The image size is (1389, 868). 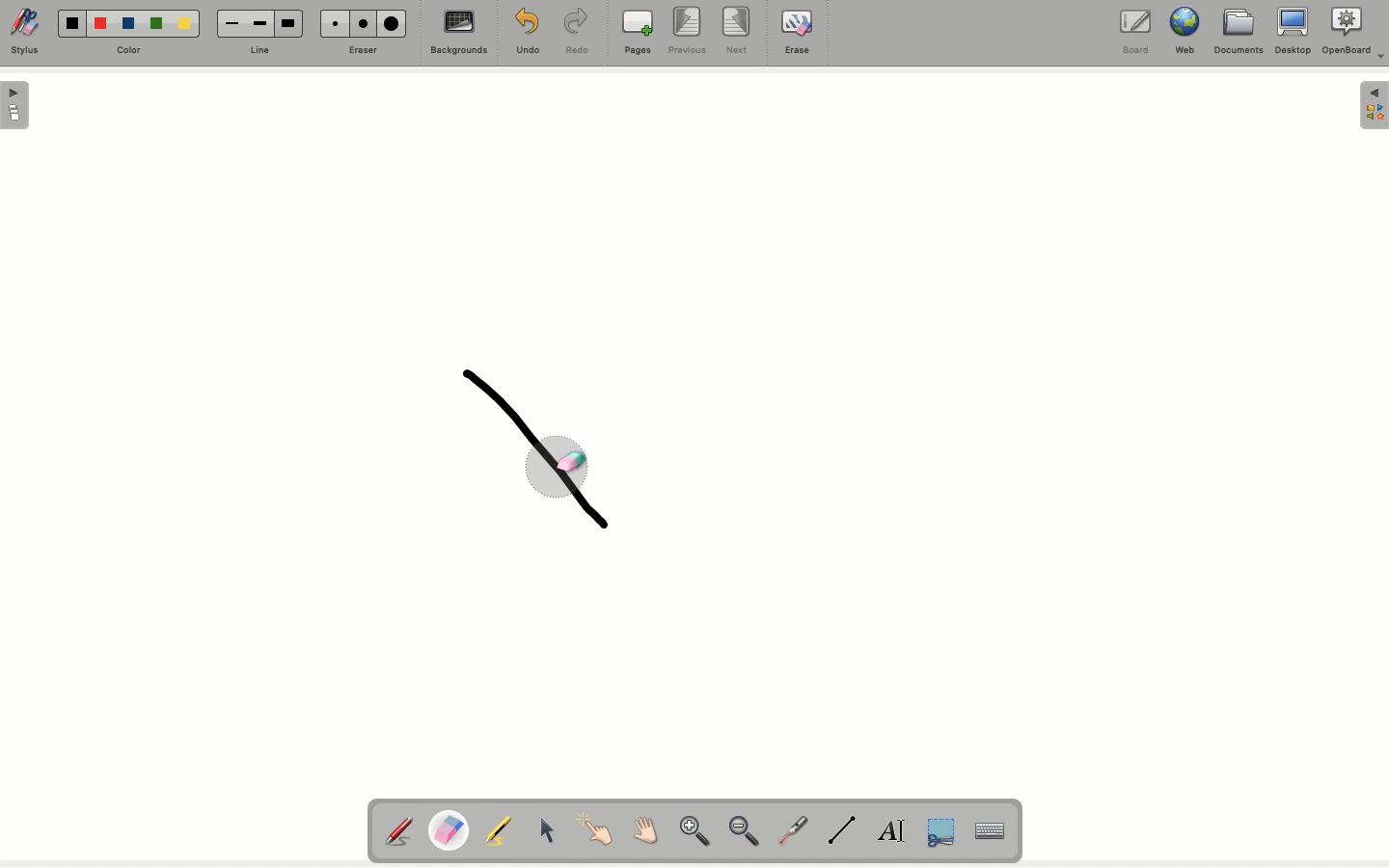 I want to click on Menu, so click(x=1374, y=107).